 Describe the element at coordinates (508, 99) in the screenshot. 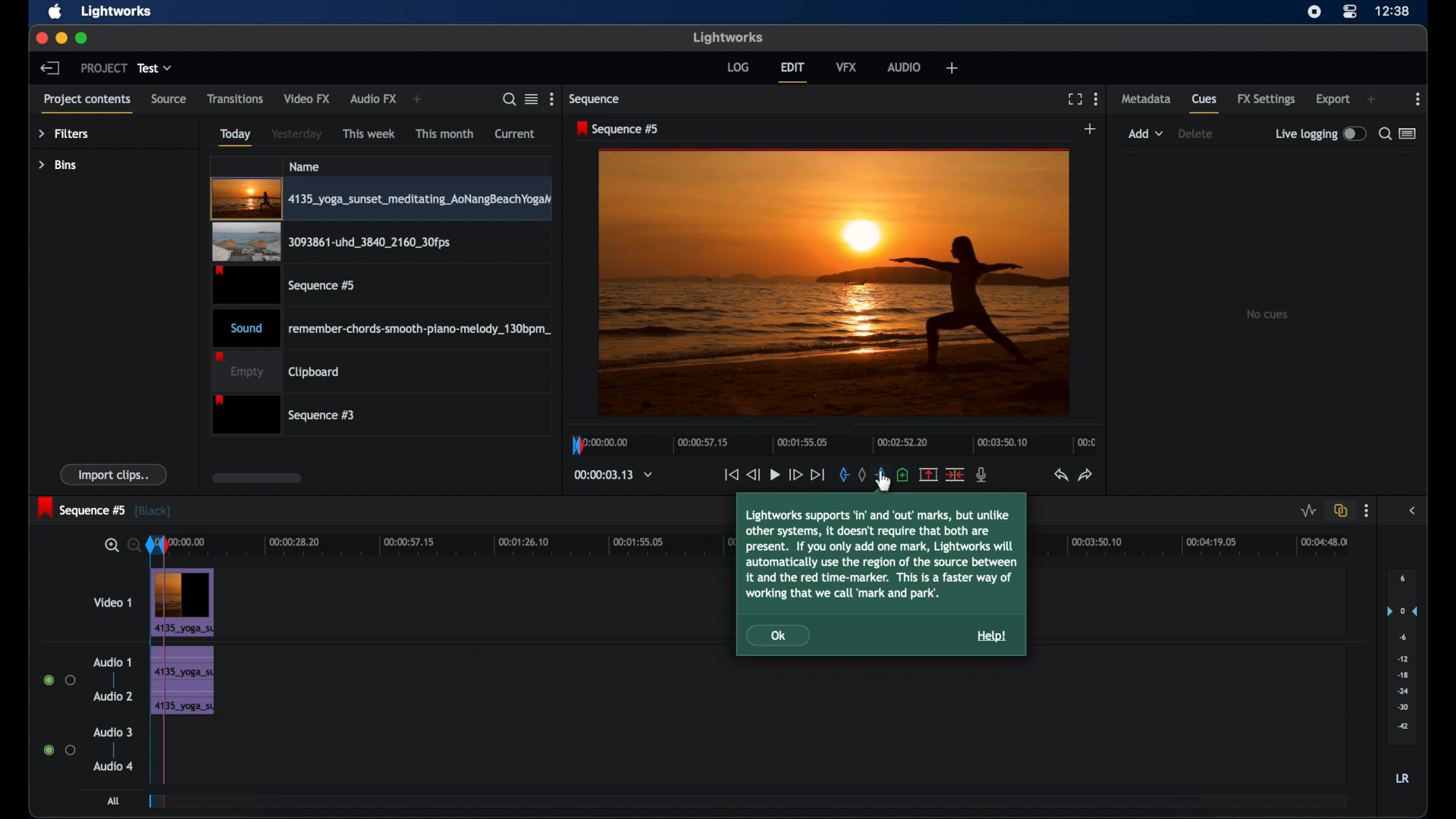

I see `search` at that location.